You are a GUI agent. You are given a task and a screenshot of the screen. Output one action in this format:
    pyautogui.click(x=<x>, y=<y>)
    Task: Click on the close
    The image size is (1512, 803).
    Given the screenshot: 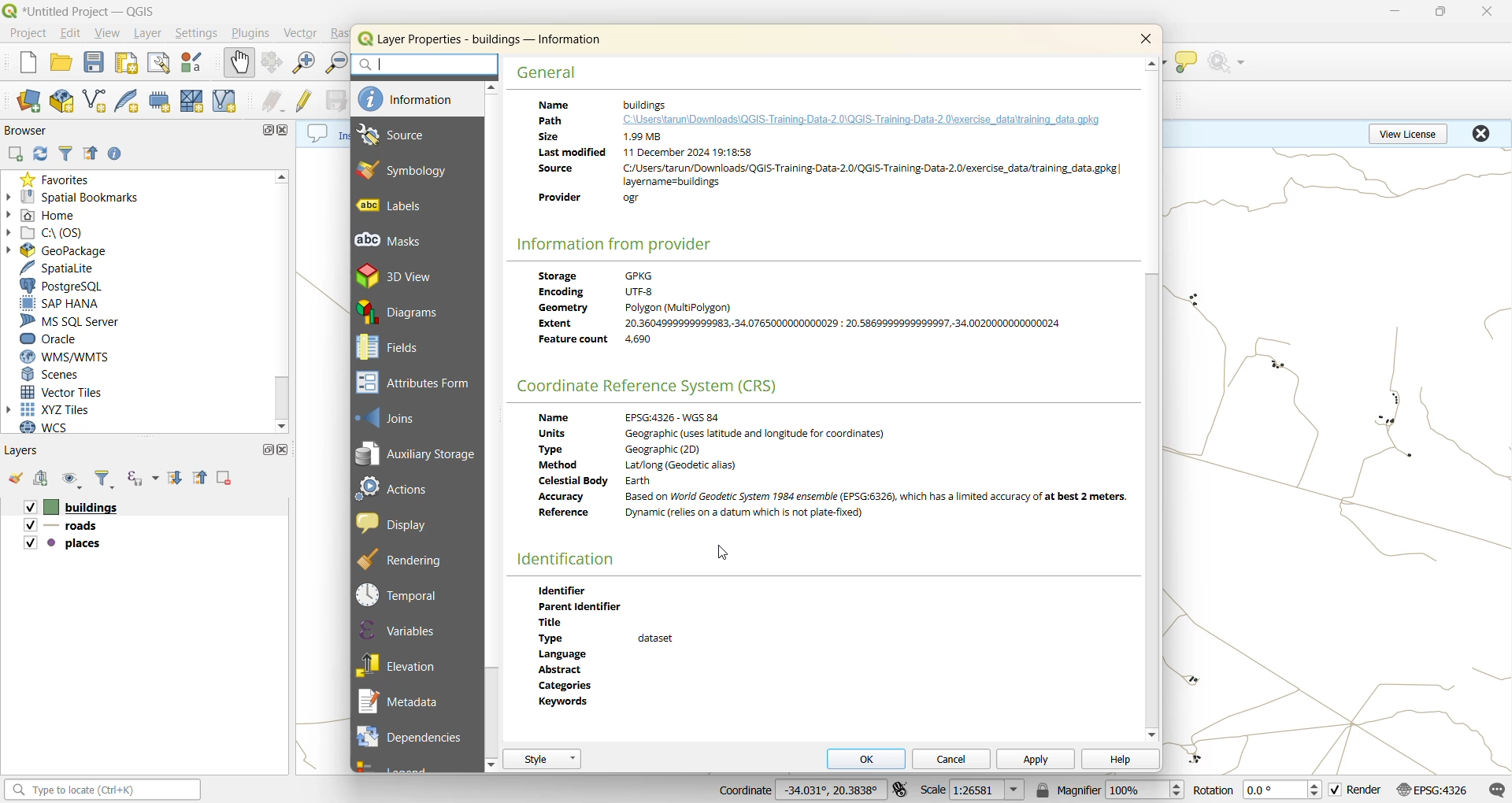 What is the action you would take?
    pyautogui.click(x=281, y=449)
    